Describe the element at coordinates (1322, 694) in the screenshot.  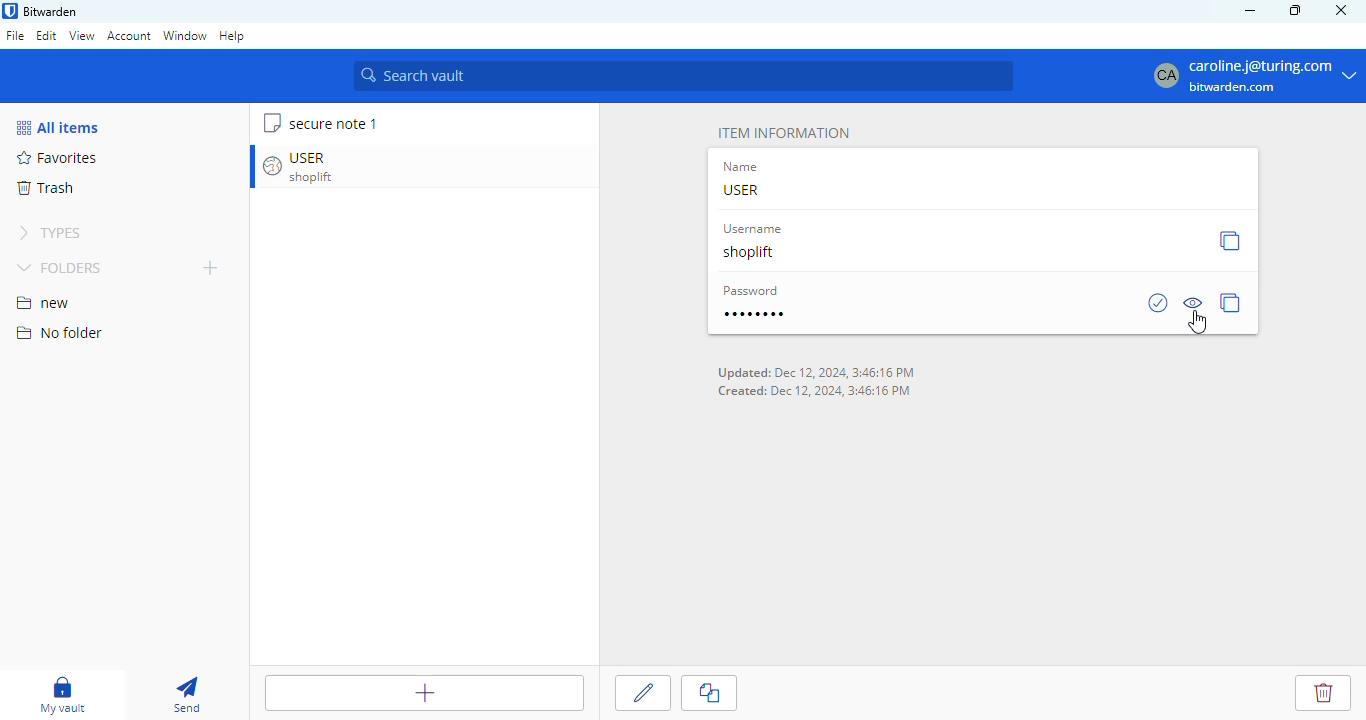
I see `delete` at that location.